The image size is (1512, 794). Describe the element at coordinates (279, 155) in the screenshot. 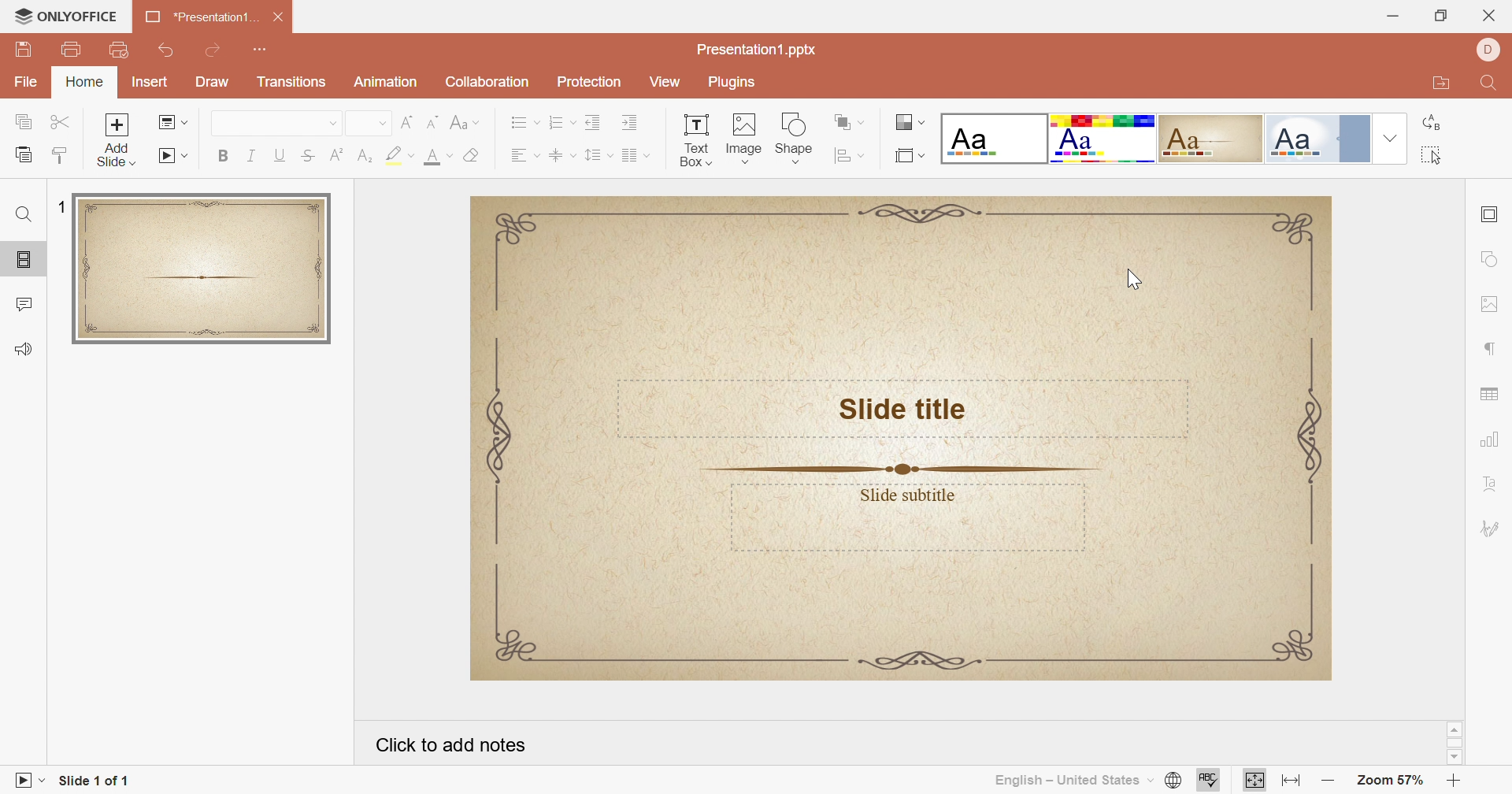

I see `Underline` at that location.